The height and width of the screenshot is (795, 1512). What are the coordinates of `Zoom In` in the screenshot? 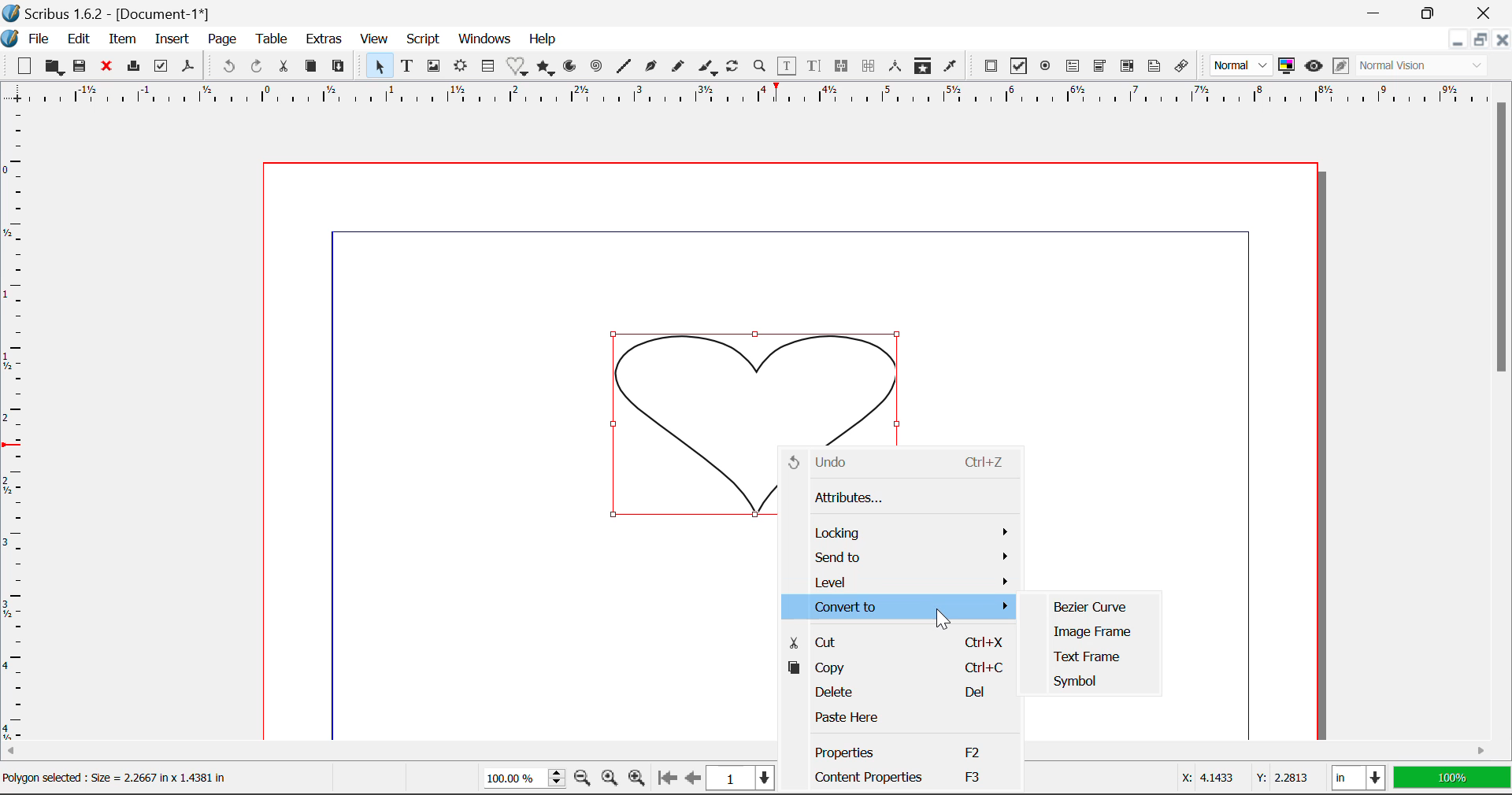 It's located at (637, 779).